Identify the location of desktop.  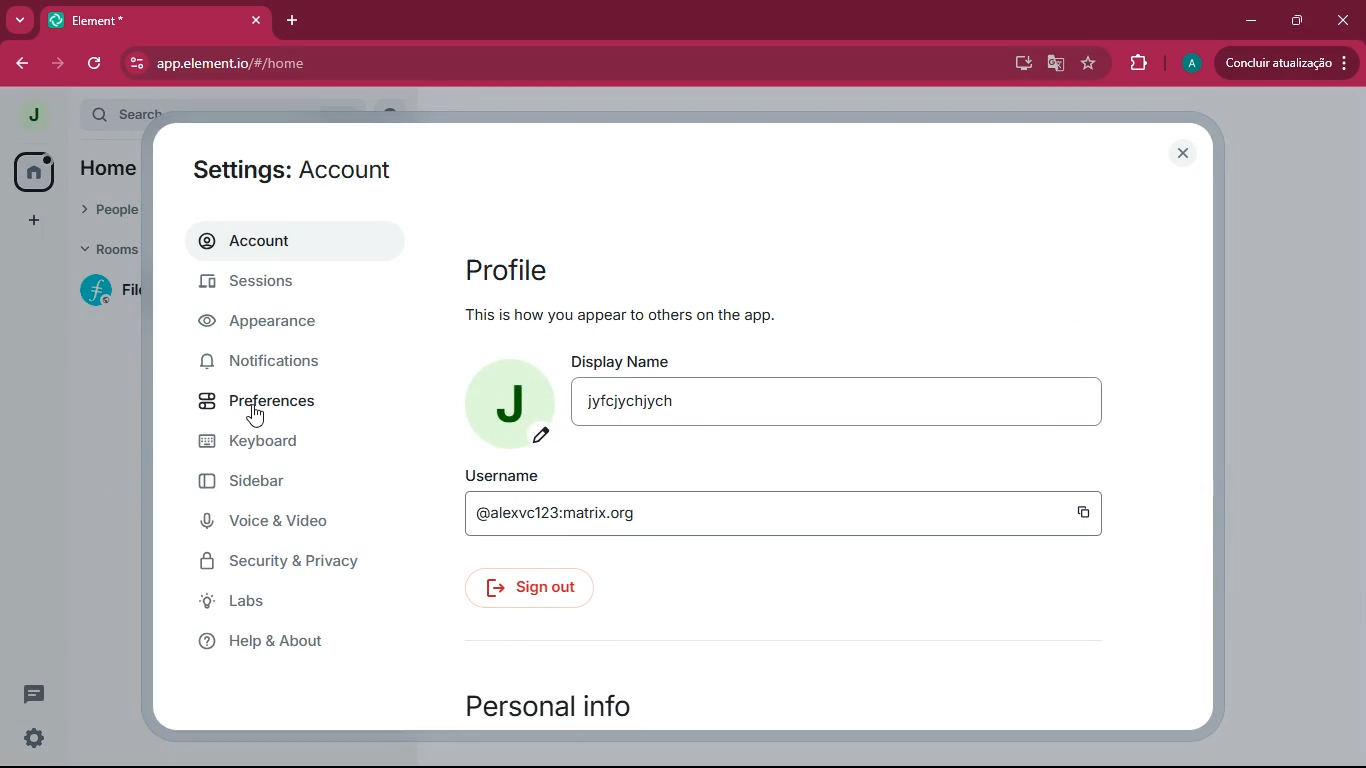
(1019, 63).